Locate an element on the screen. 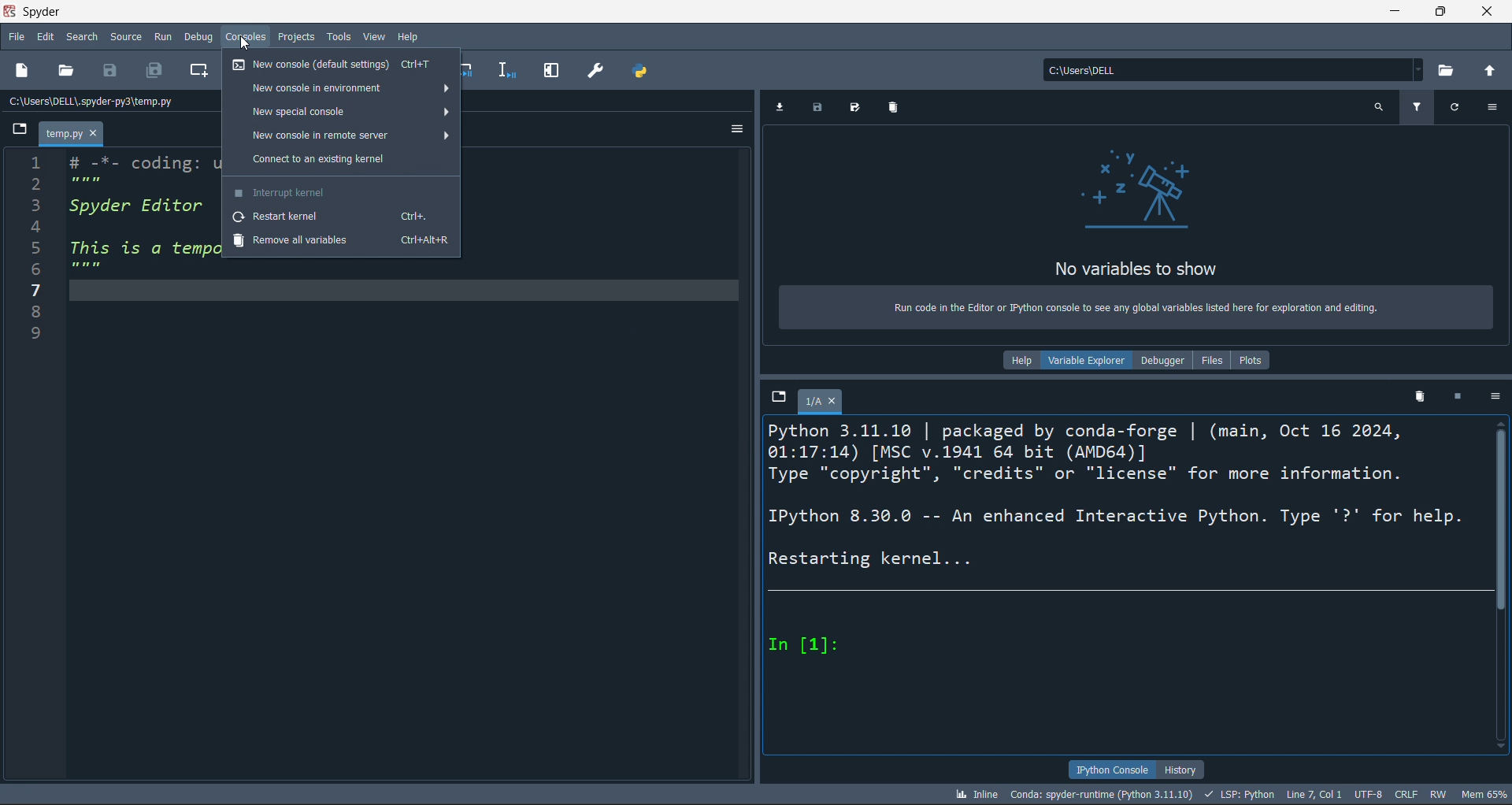 This screenshot has height=805, width=1512. debug line is located at coordinates (510, 70).